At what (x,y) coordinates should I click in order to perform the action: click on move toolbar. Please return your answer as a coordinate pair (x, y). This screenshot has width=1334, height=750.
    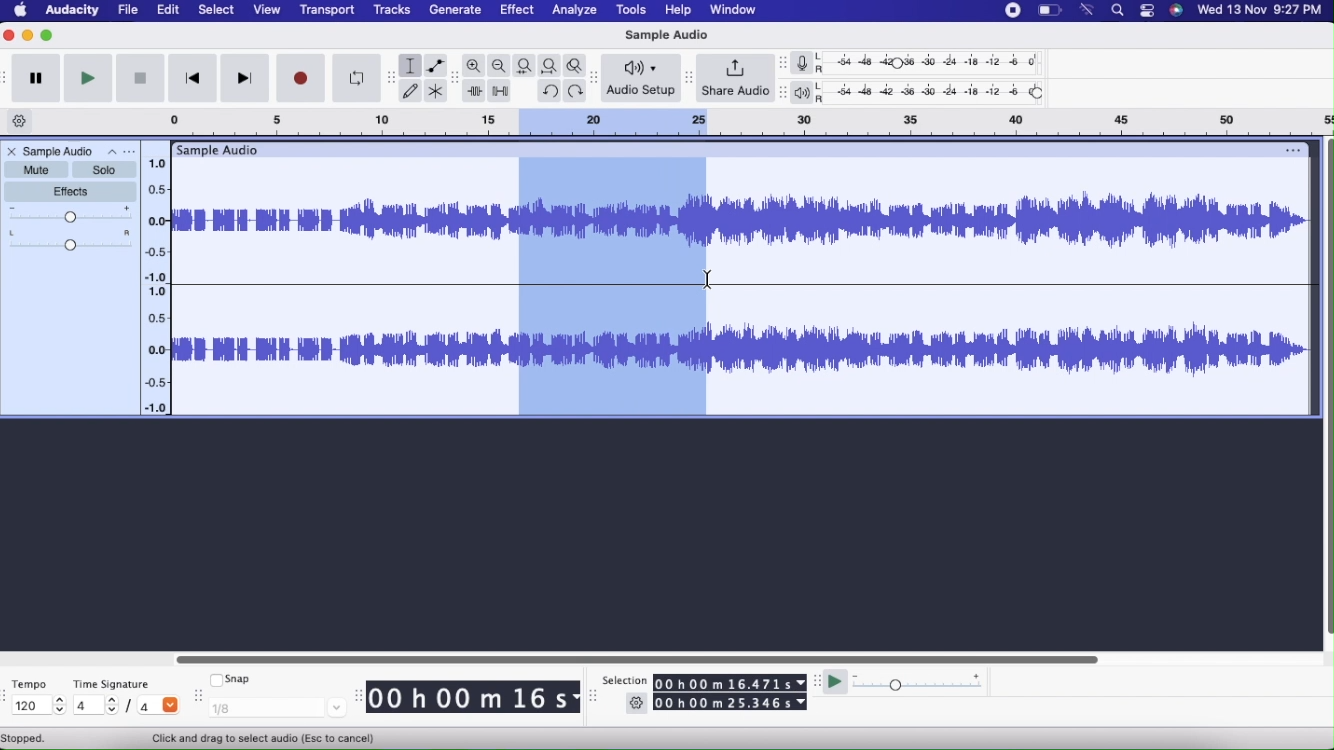
    Looking at the image, I should click on (8, 696).